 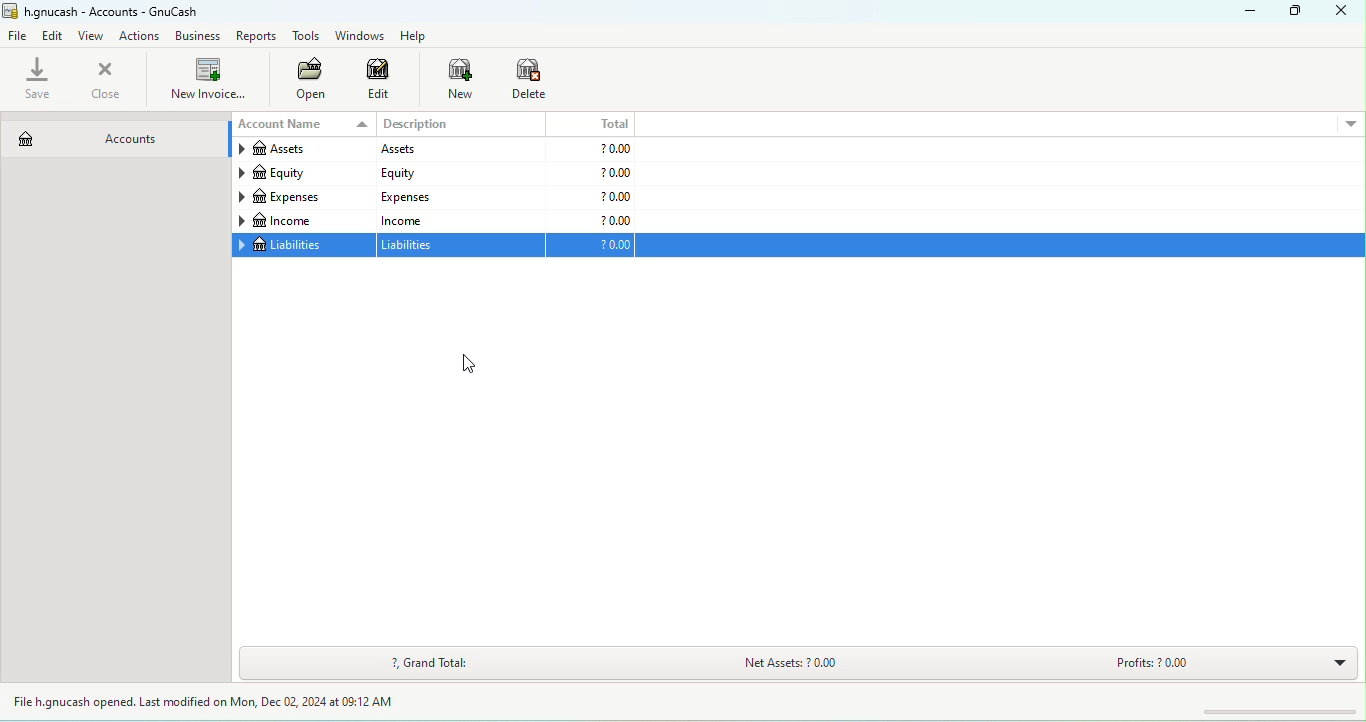 What do you see at coordinates (450, 81) in the screenshot?
I see `new` at bounding box center [450, 81].